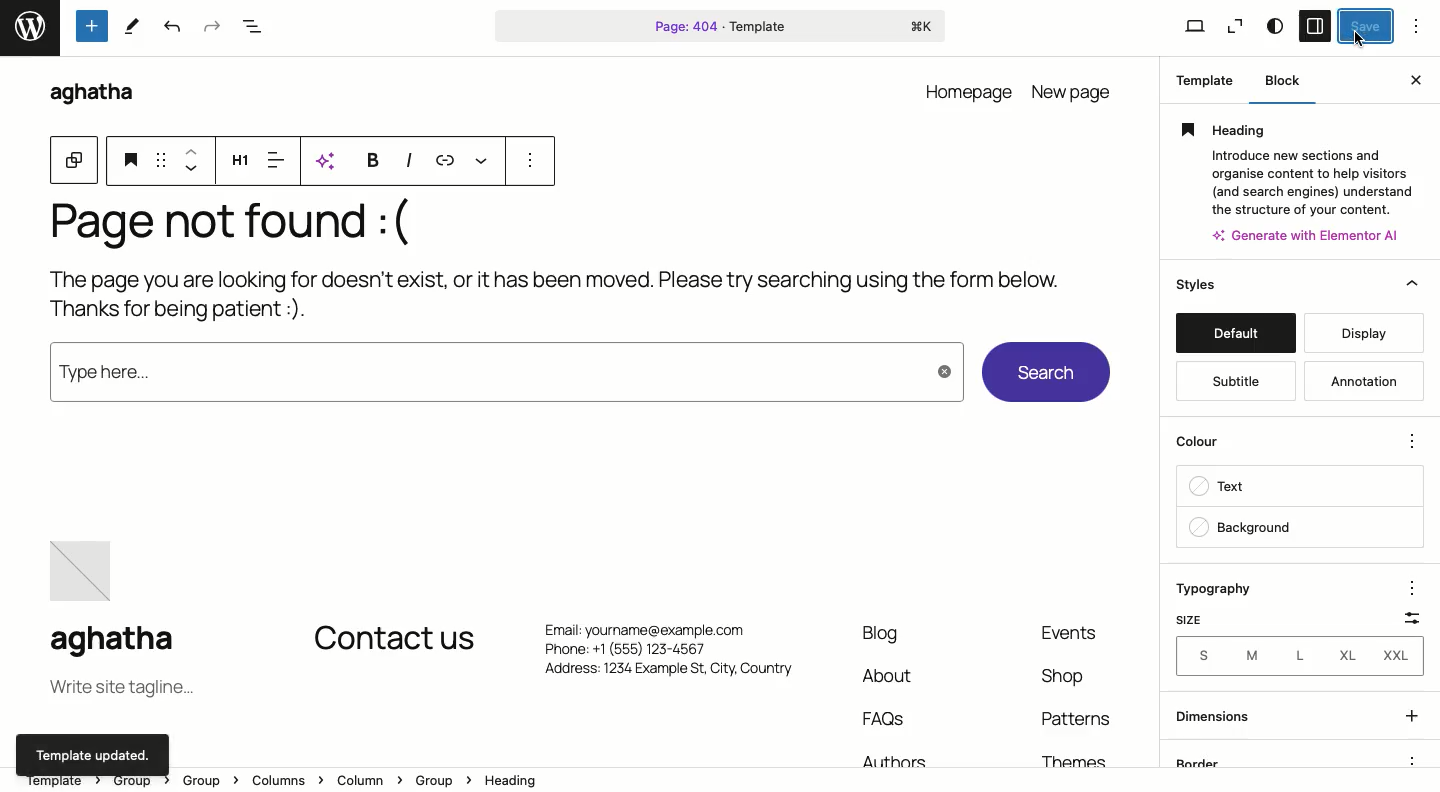 The image size is (1440, 792). What do you see at coordinates (1303, 235) in the screenshot?
I see `4: Generate with Elemento Al` at bounding box center [1303, 235].